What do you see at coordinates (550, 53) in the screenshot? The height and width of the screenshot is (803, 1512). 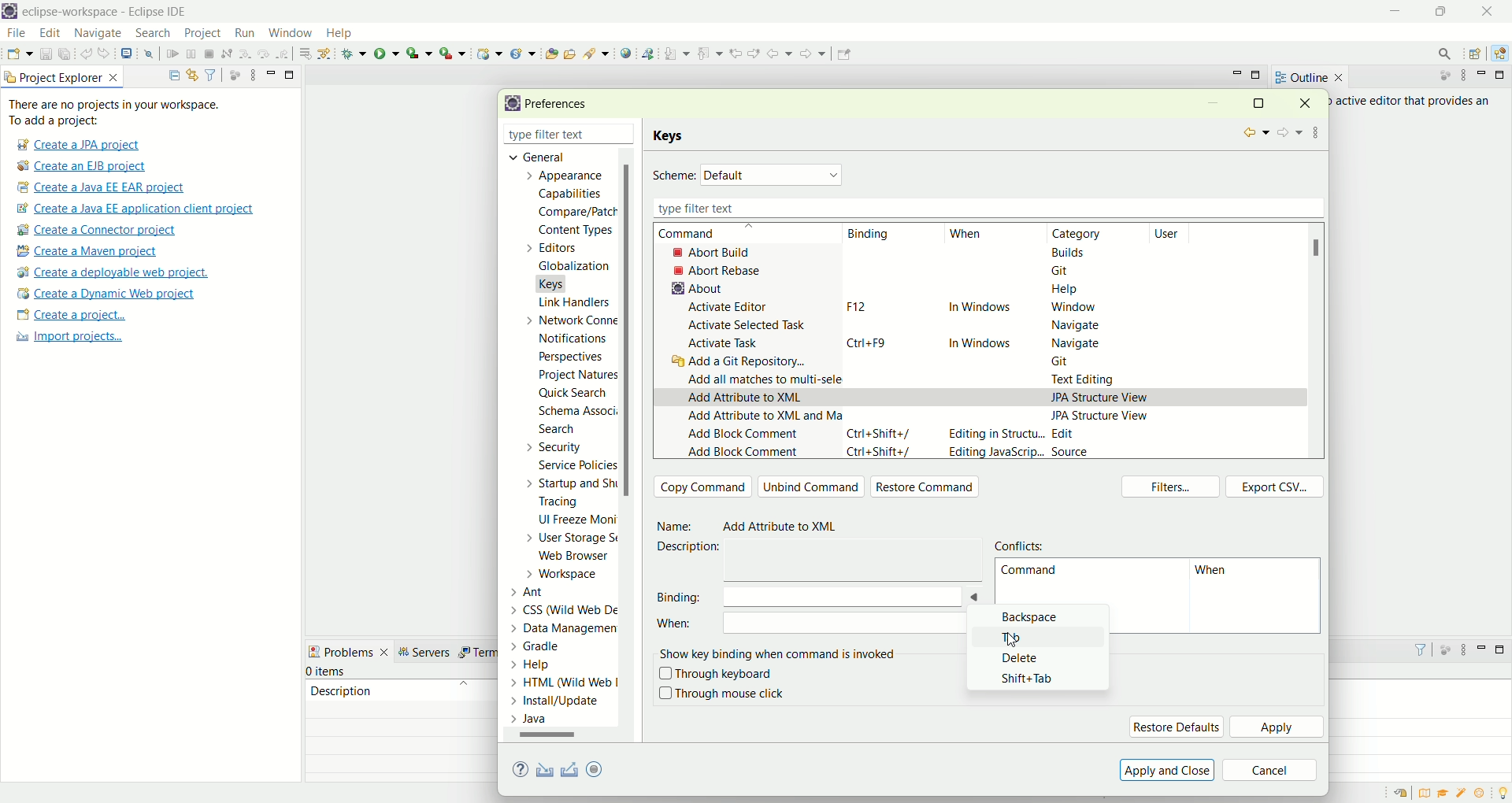 I see `open type` at bounding box center [550, 53].